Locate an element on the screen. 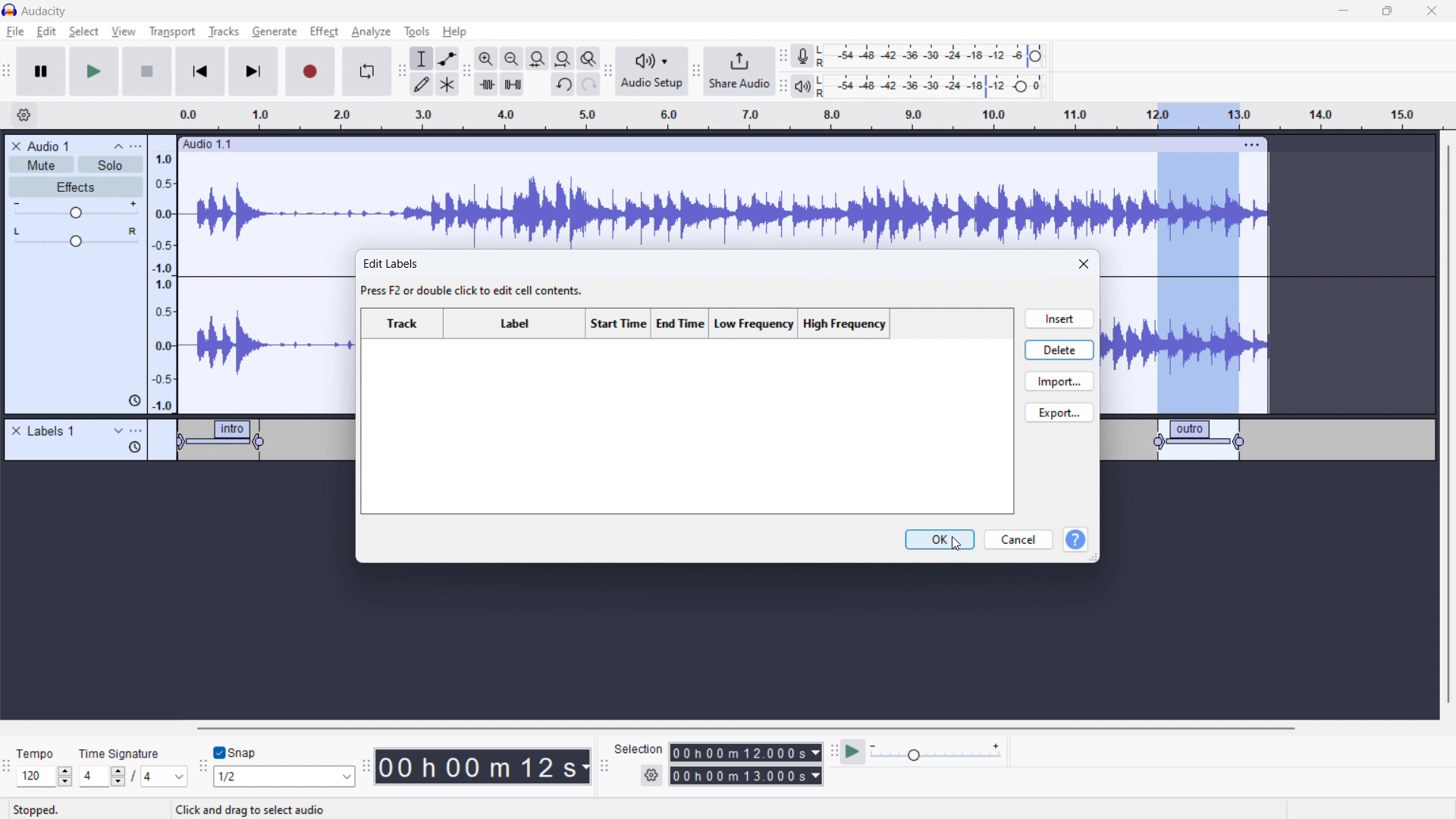  label 3 is located at coordinates (1200, 439).